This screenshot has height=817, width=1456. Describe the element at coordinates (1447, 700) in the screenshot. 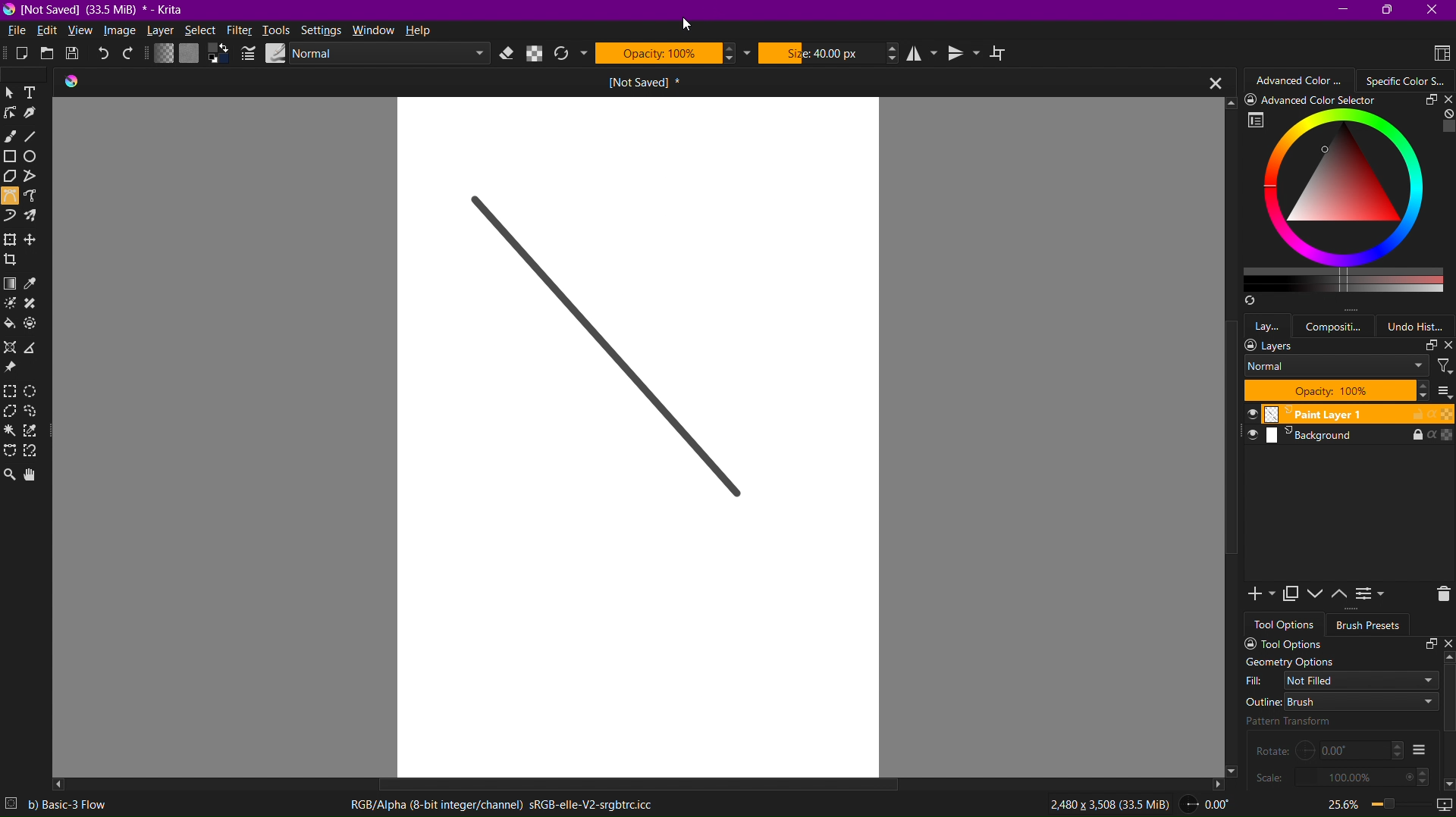

I see `Scrollbar` at that location.